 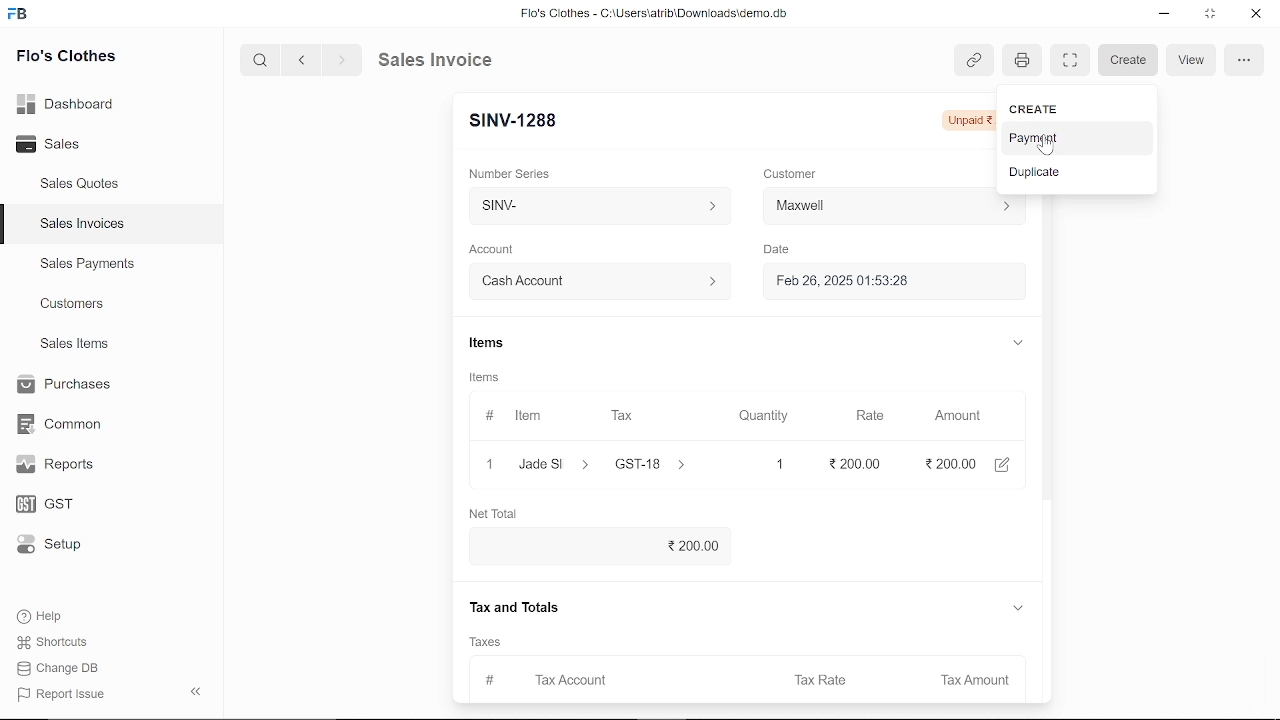 I want to click on minimize, so click(x=1166, y=16).